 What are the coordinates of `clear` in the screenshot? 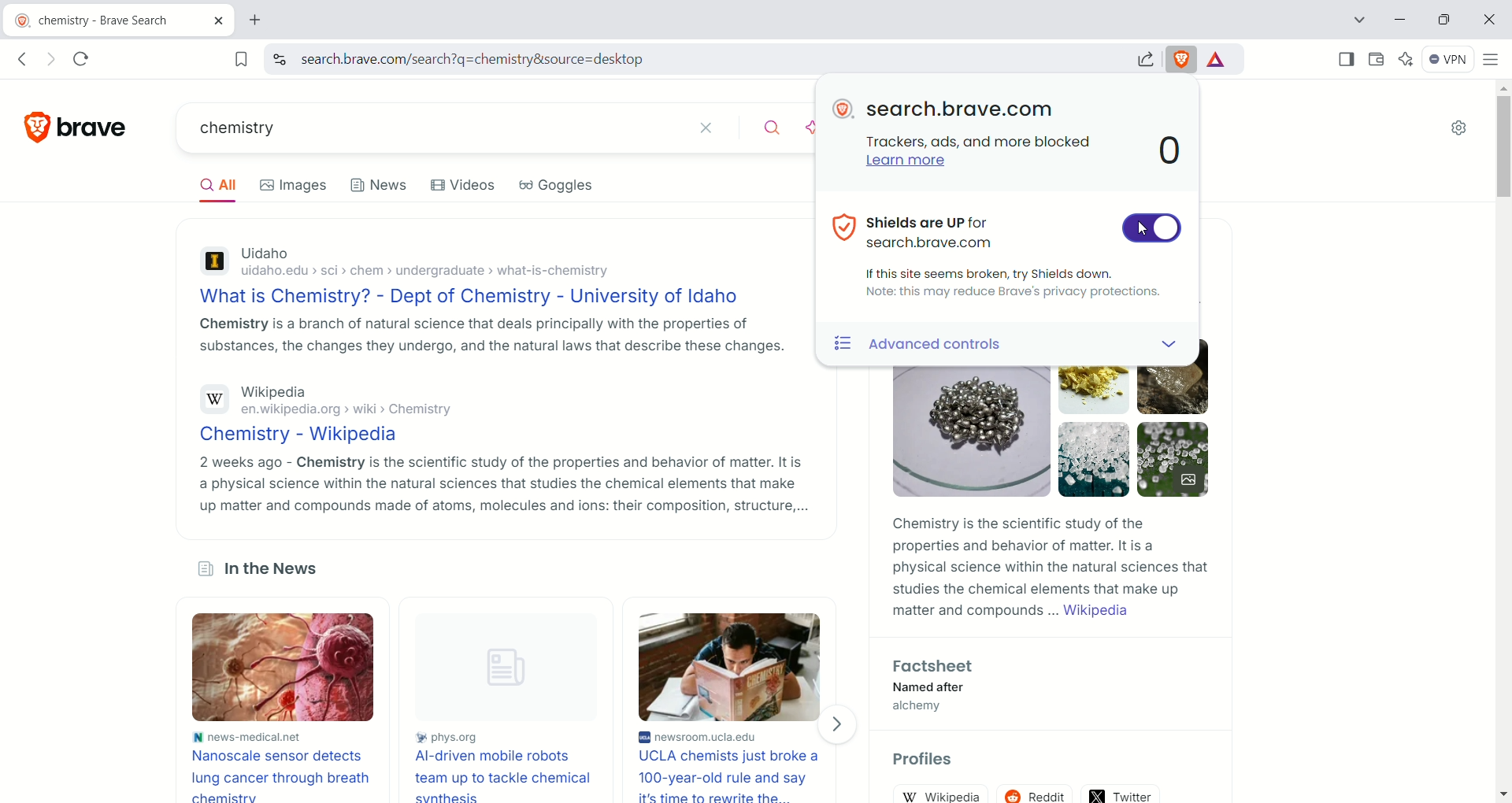 It's located at (715, 128).